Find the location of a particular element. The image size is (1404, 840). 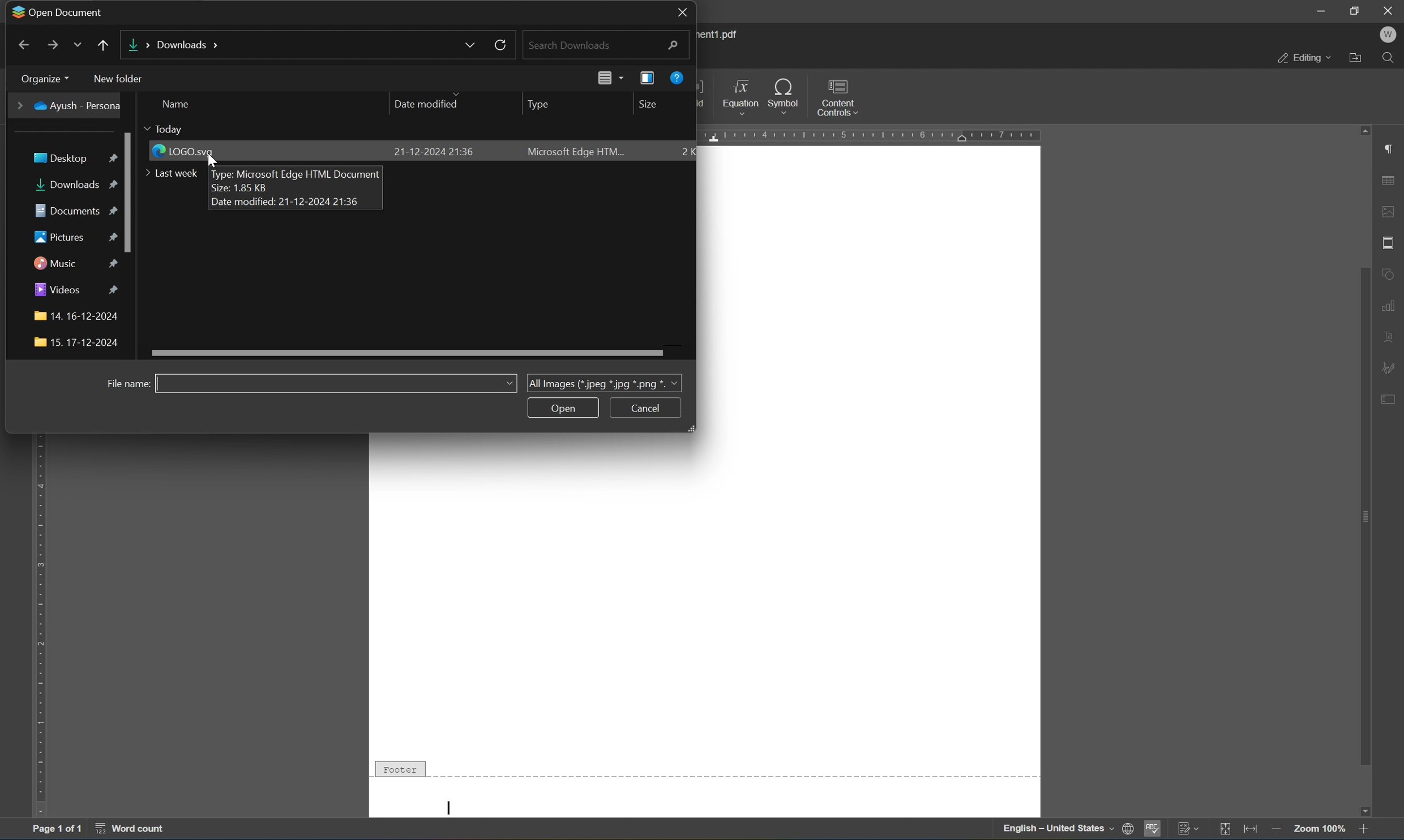

open file location is located at coordinates (1358, 59).